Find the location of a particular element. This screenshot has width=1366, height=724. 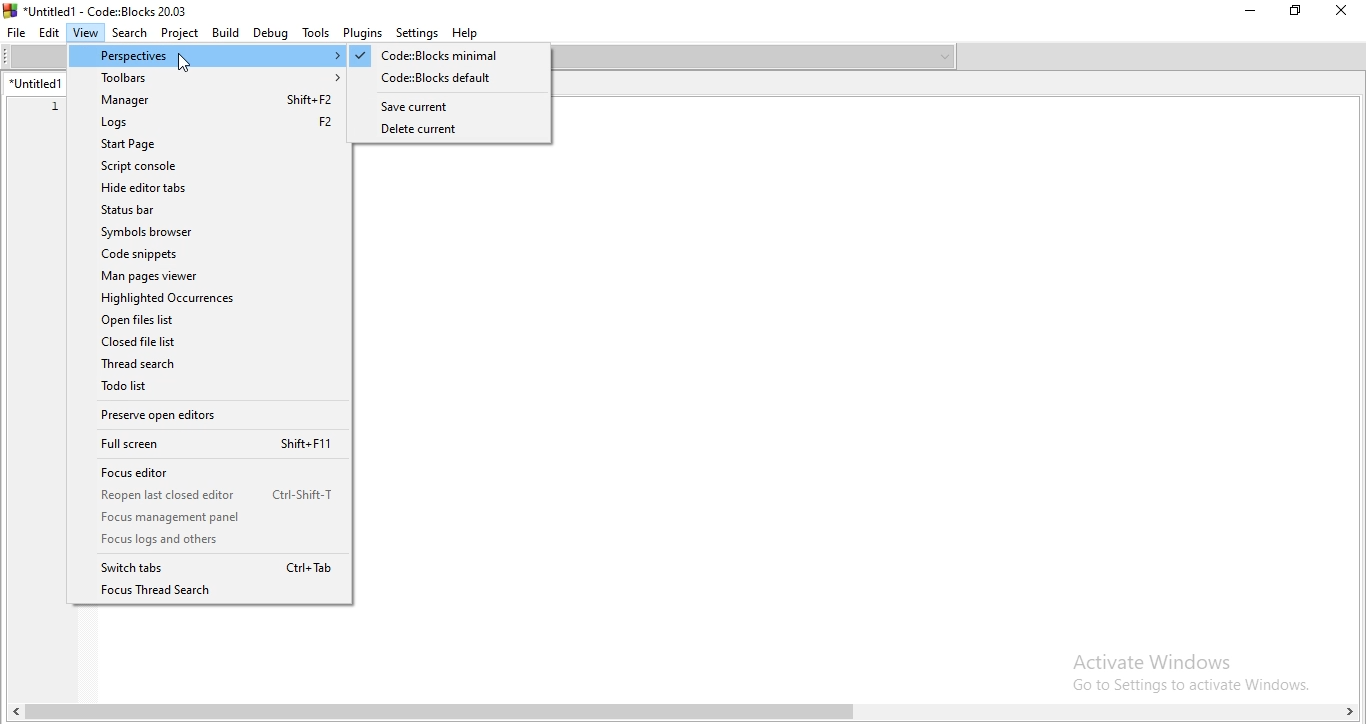

Code snippets is located at coordinates (209, 253).